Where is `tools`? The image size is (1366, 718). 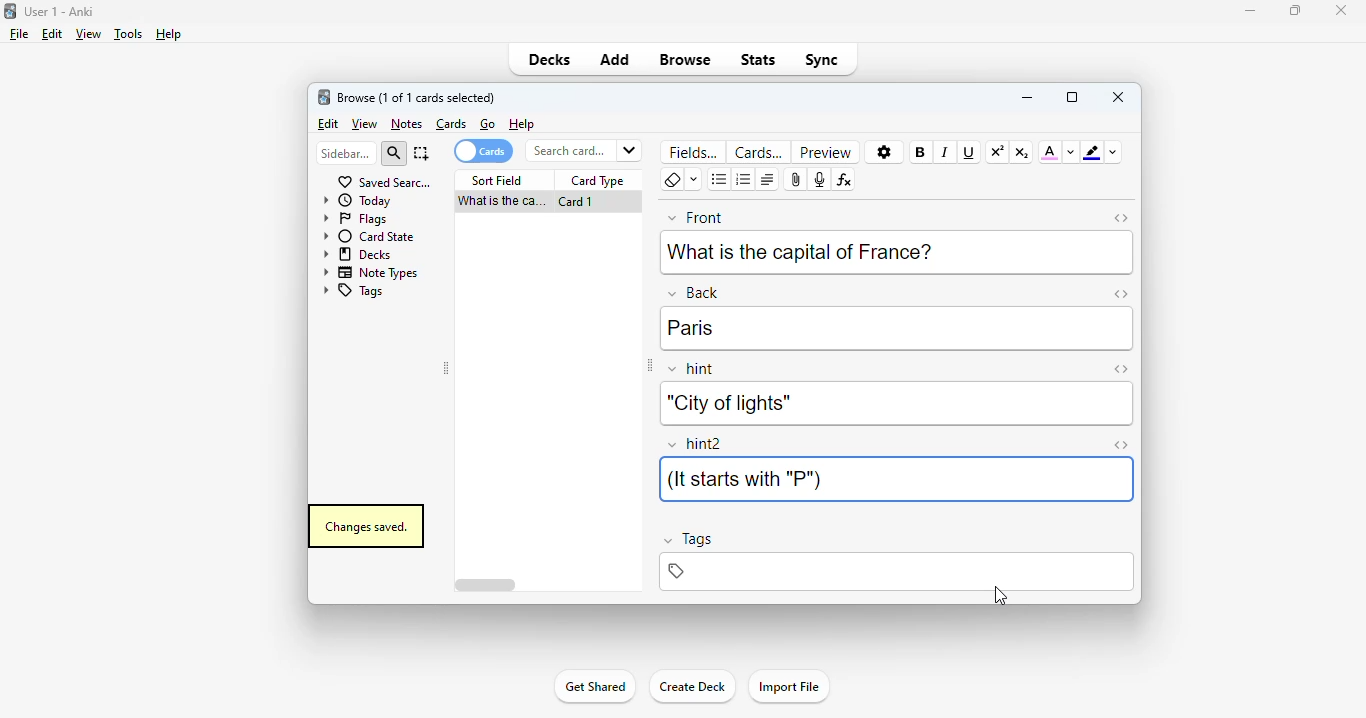
tools is located at coordinates (129, 34).